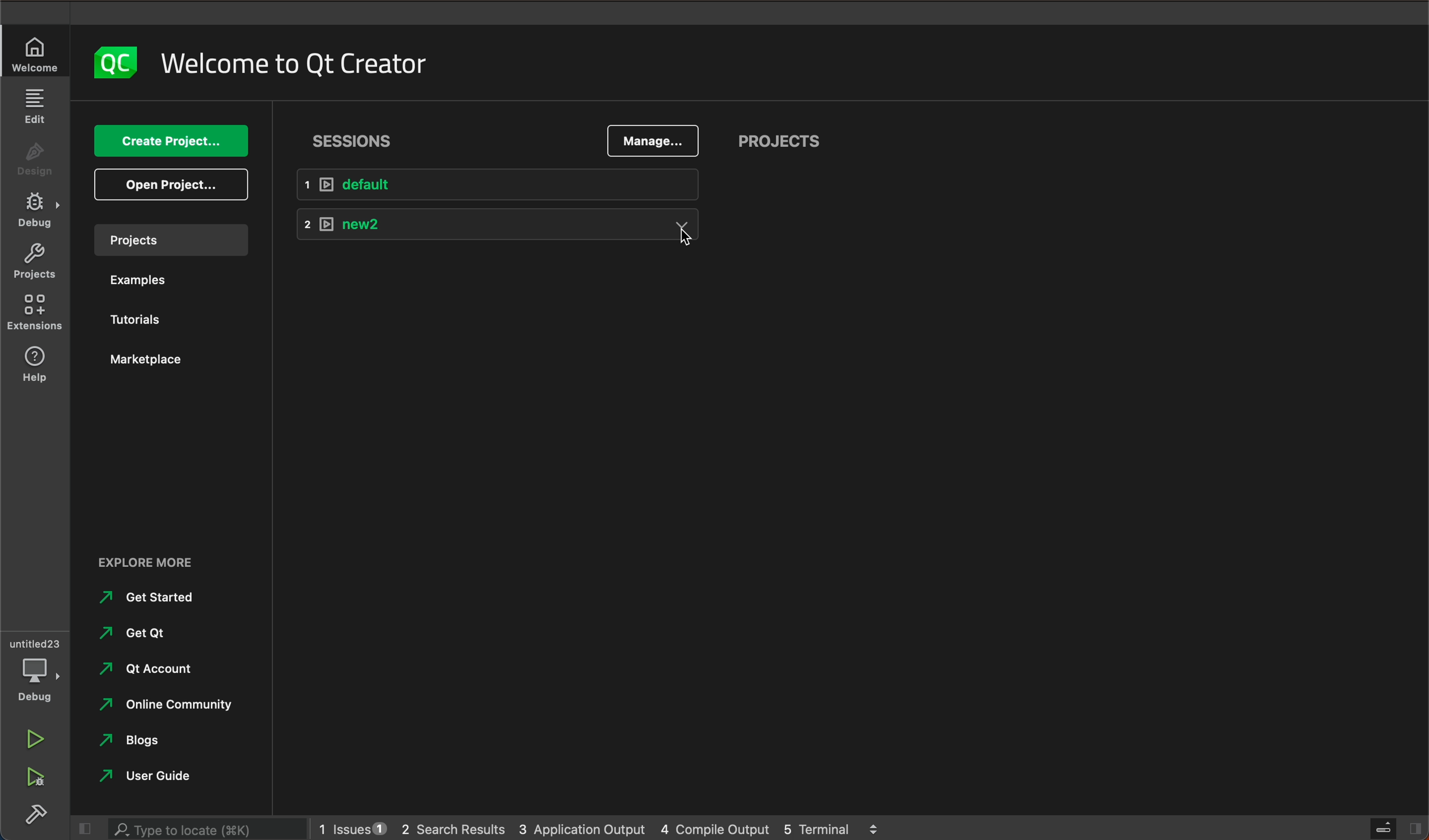  What do you see at coordinates (33, 774) in the screenshot?
I see `run debug` at bounding box center [33, 774].